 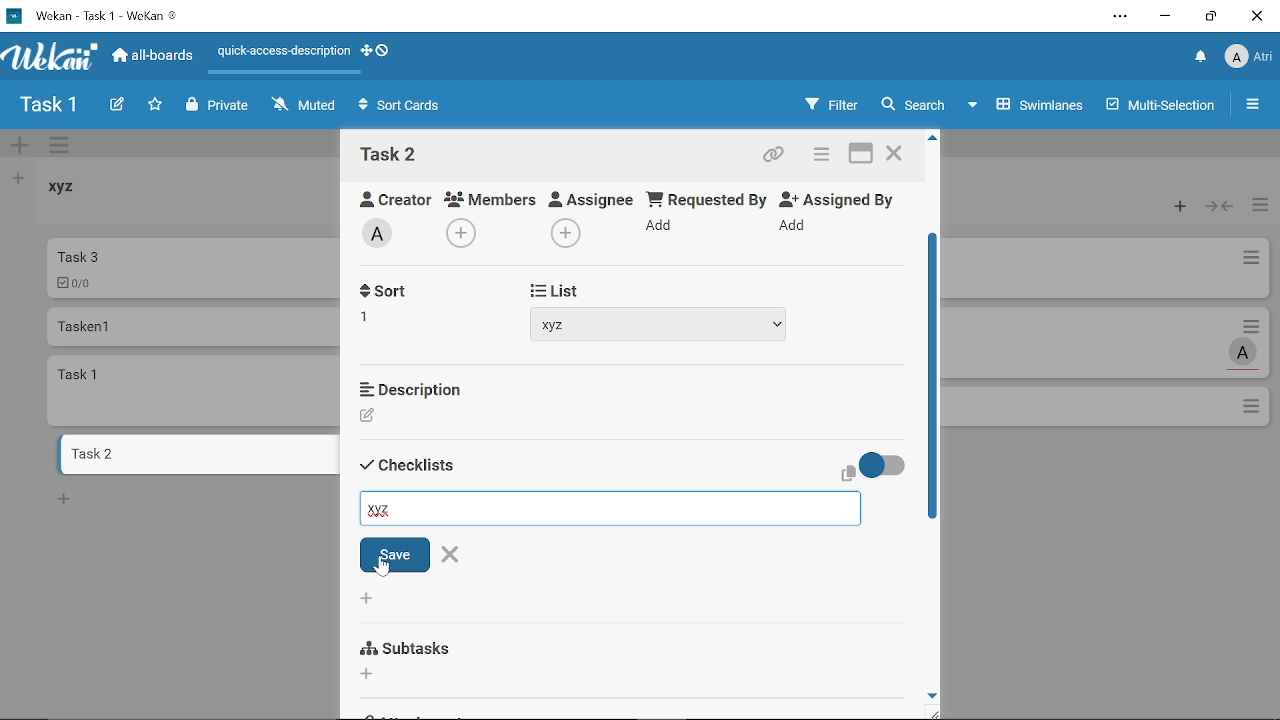 What do you see at coordinates (896, 156) in the screenshot?
I see `Close card` at bounding box center [896, 156].